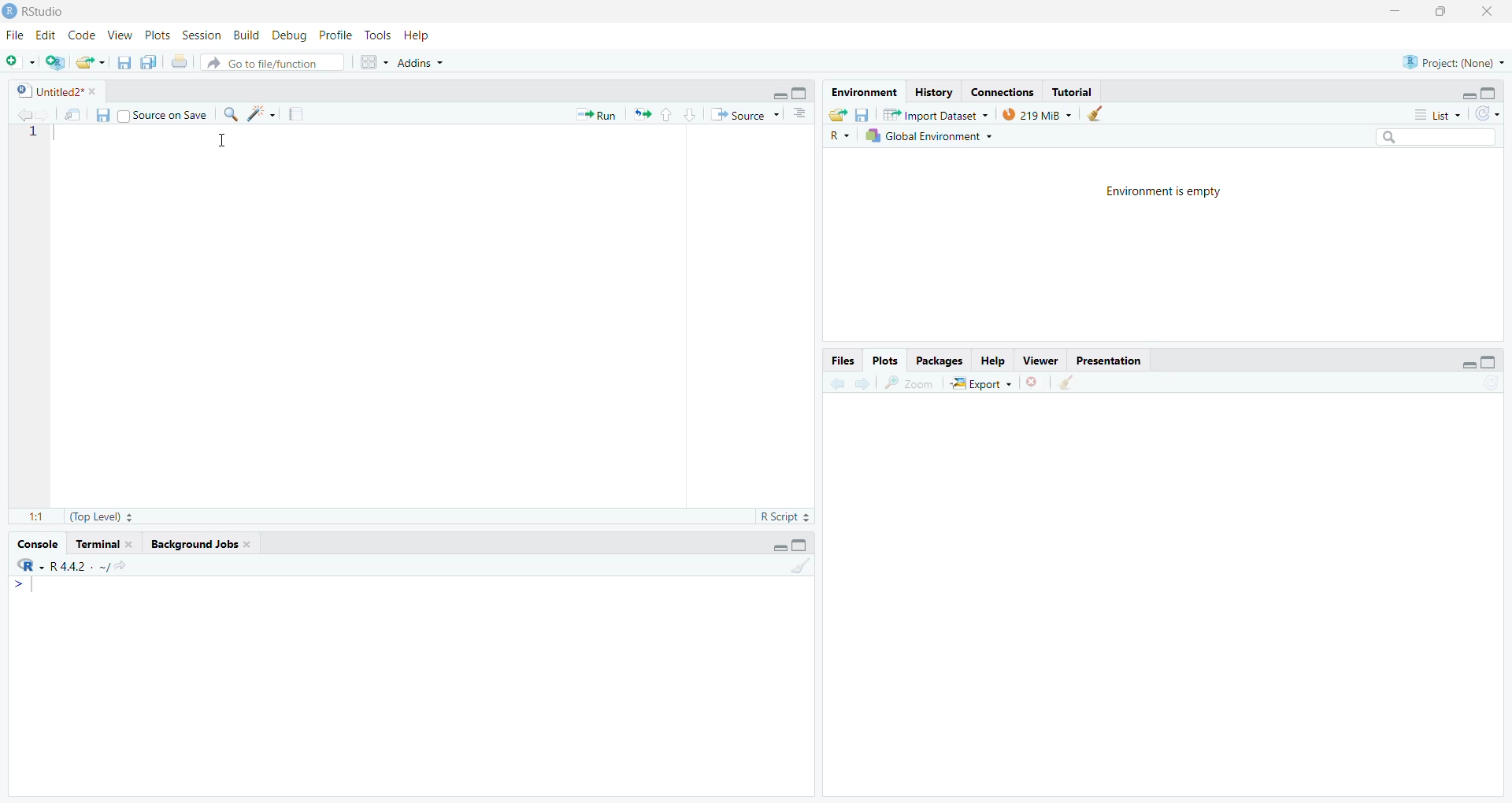 This screenshot has height=803, width=1512. I want to click on Minimize, so click(1396, 13).